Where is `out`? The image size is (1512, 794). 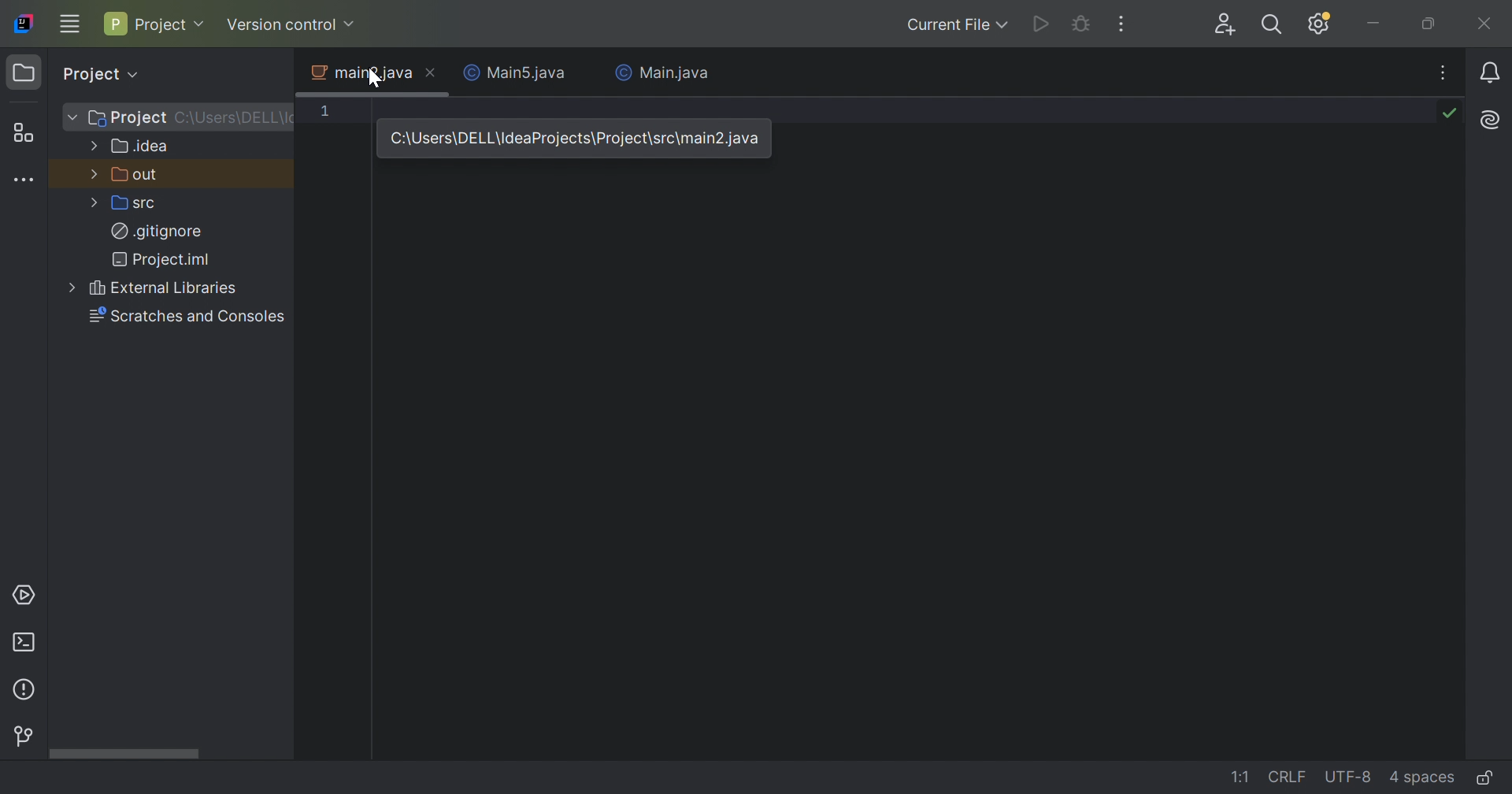
out is located at coordinates (138, 176).